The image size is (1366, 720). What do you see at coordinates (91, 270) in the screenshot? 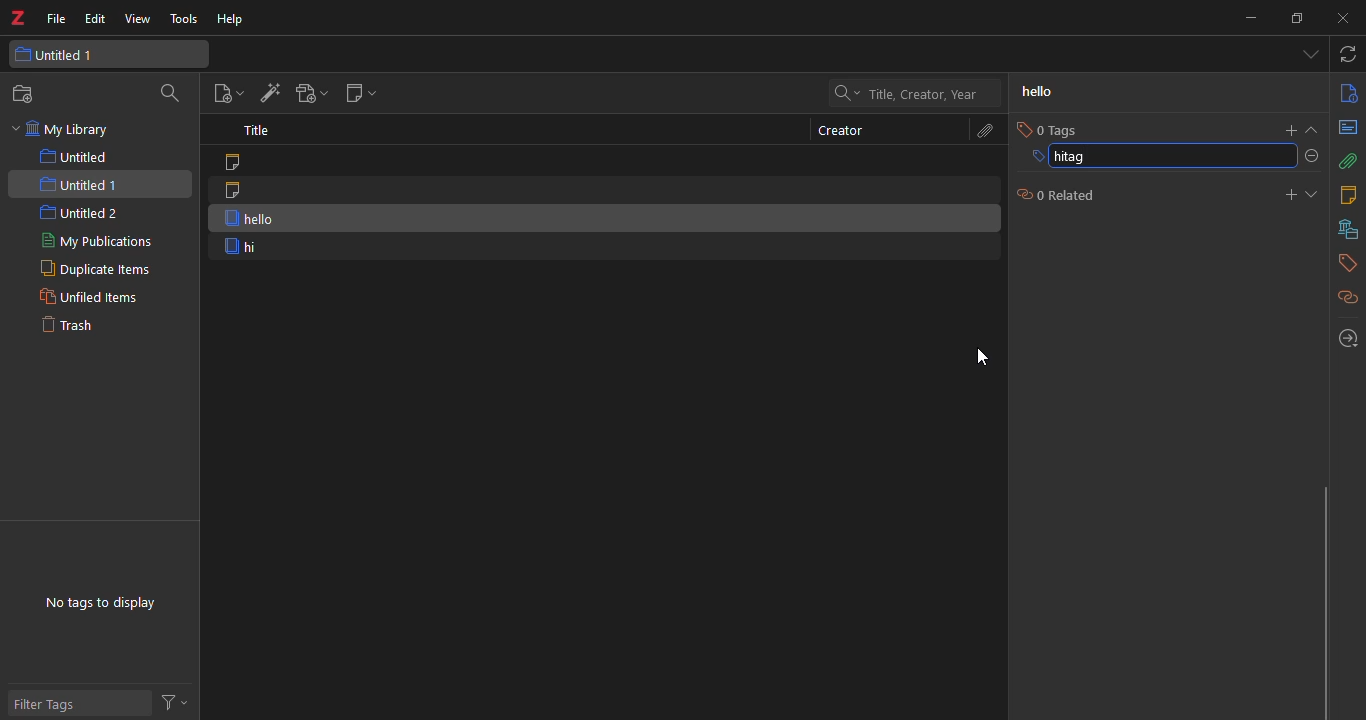
I see `duplicate items` at bounding box center [91, 270].